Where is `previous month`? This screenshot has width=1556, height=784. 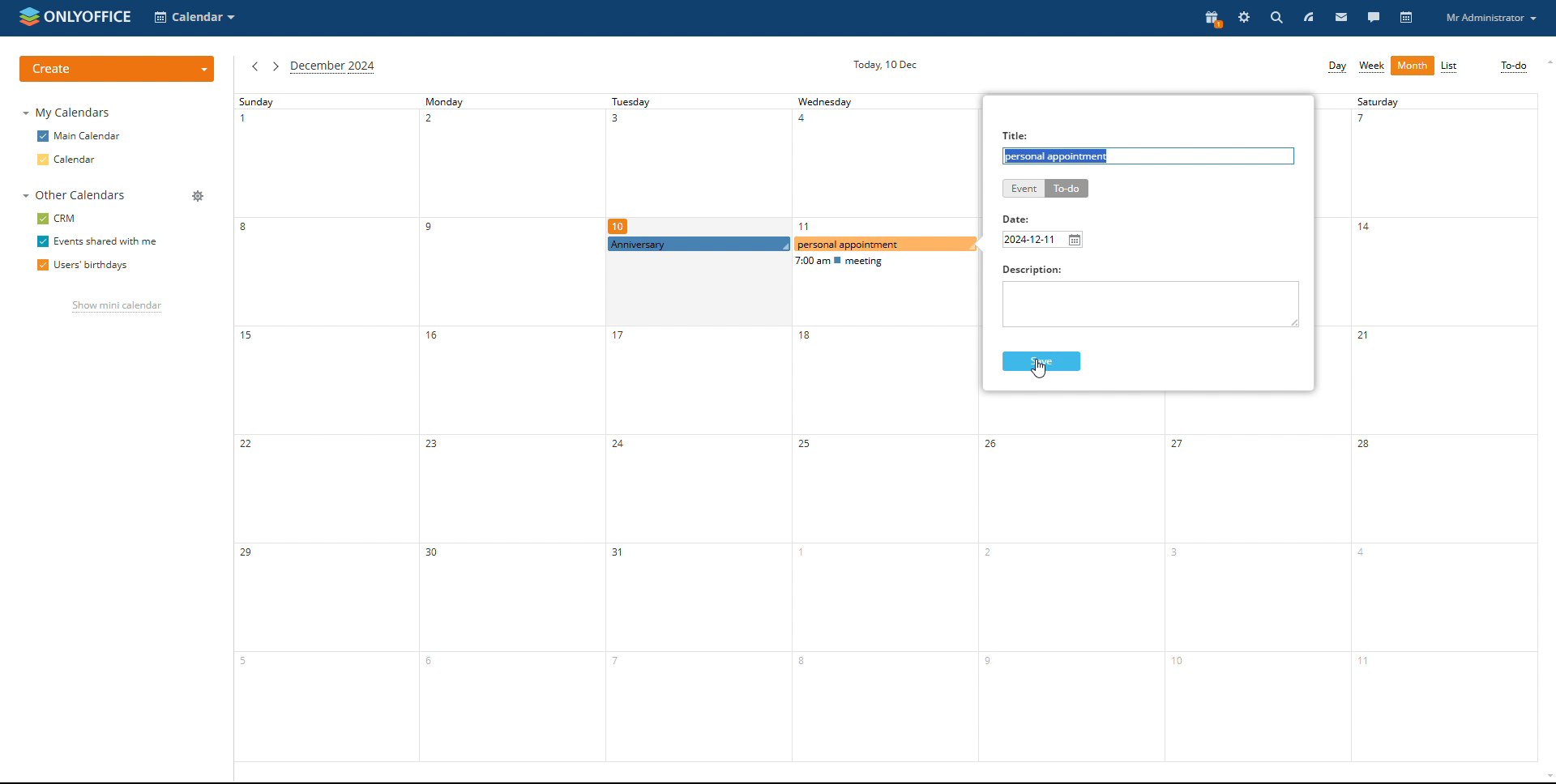
previous month is located at coordinates (254, 66).